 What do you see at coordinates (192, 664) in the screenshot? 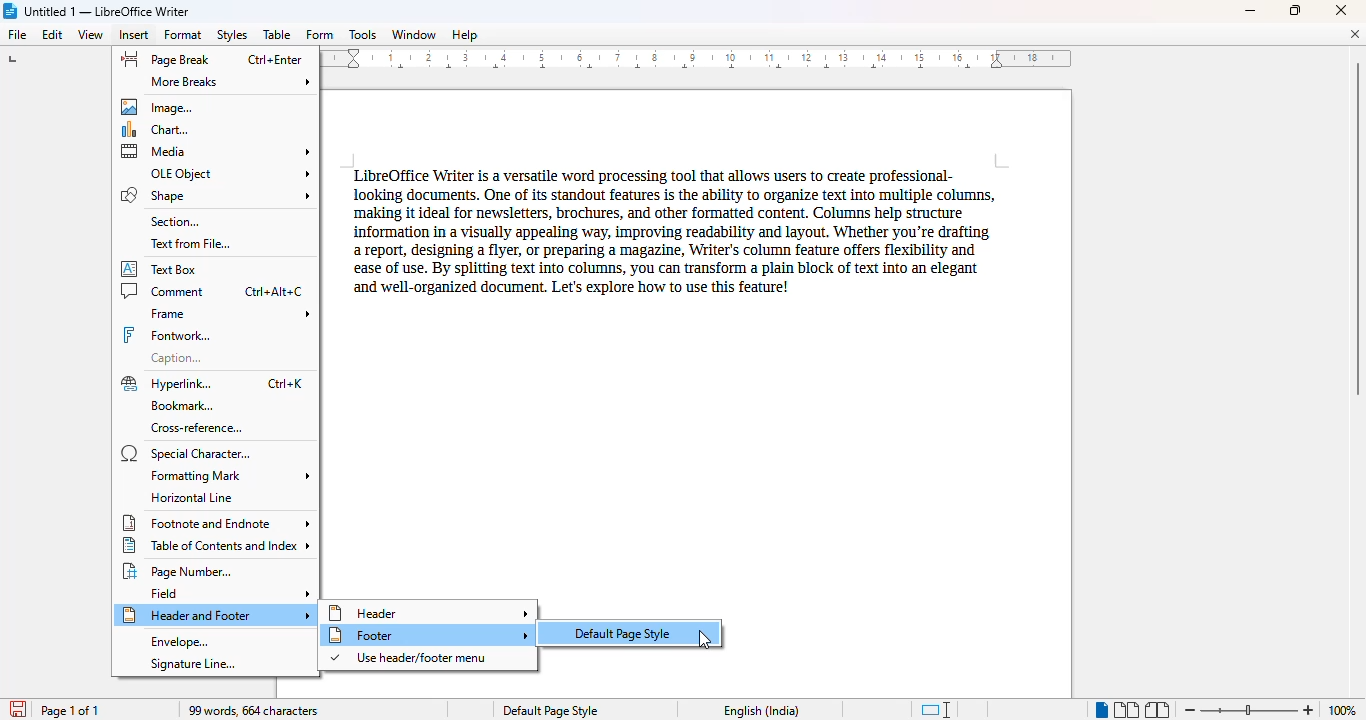
I see `signature line` at bounding box center [192, 664].